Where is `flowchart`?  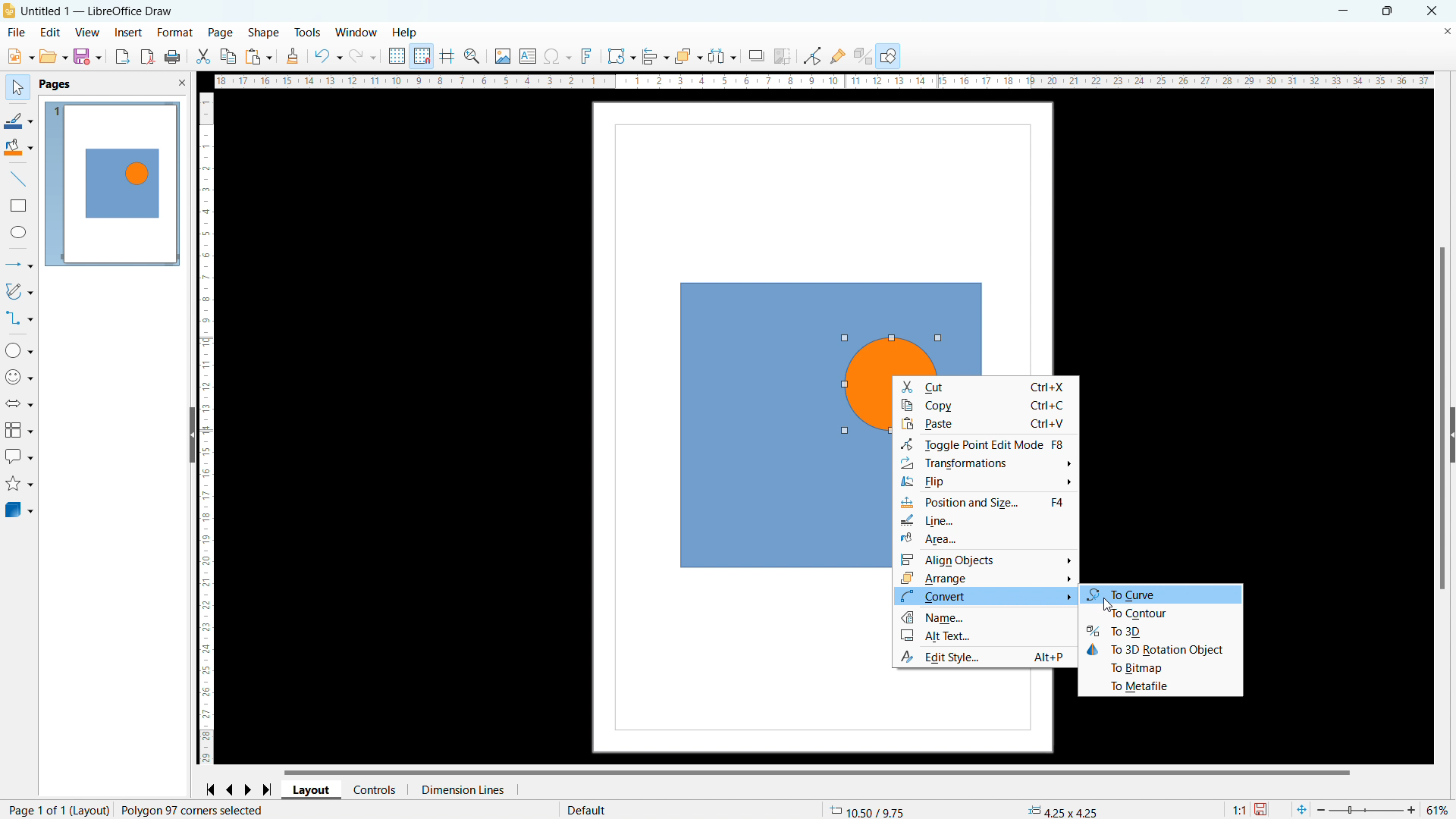
flowchart is located at coordinates (18, 430).